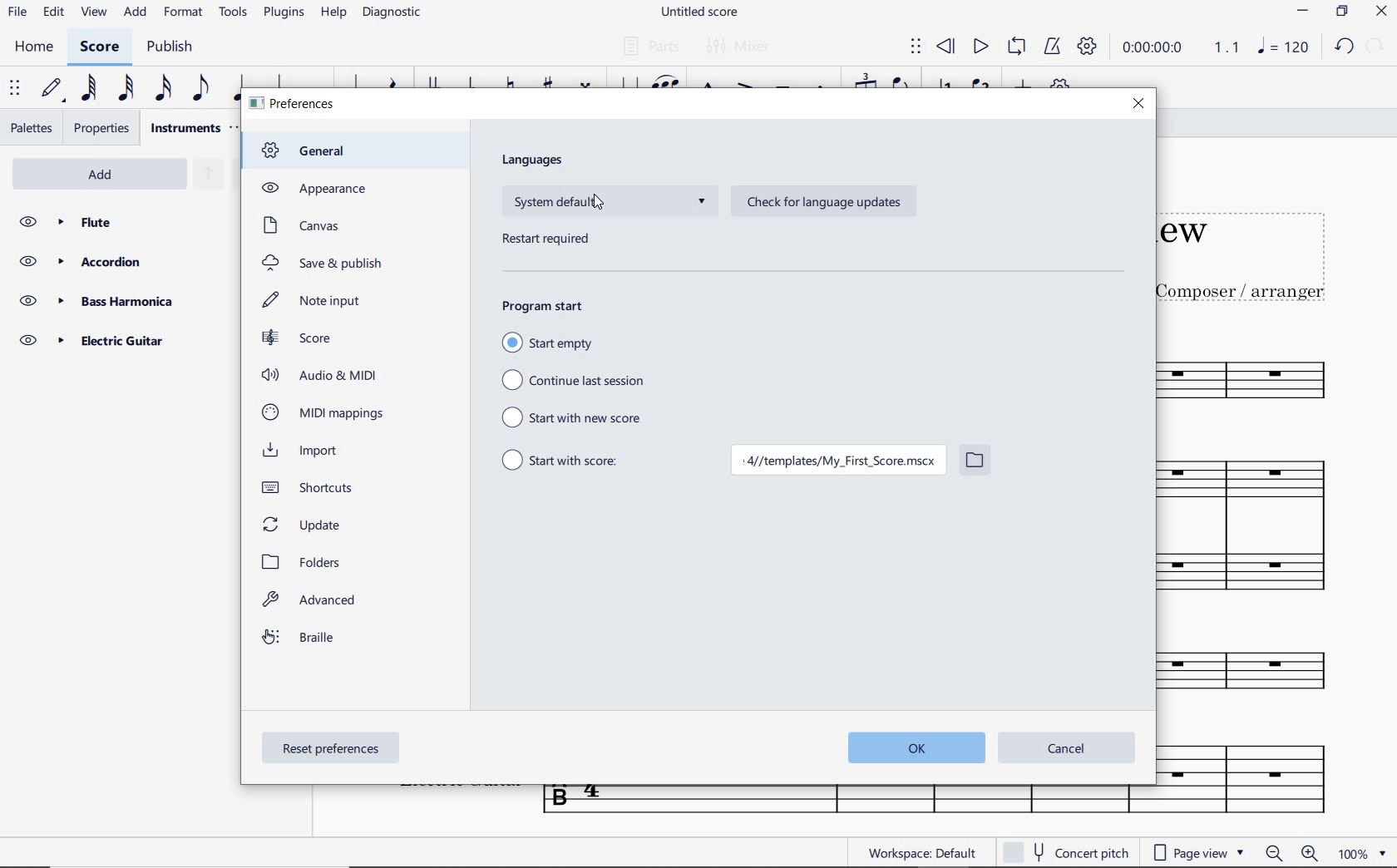  I want to click on accordion, so click(120, 262).